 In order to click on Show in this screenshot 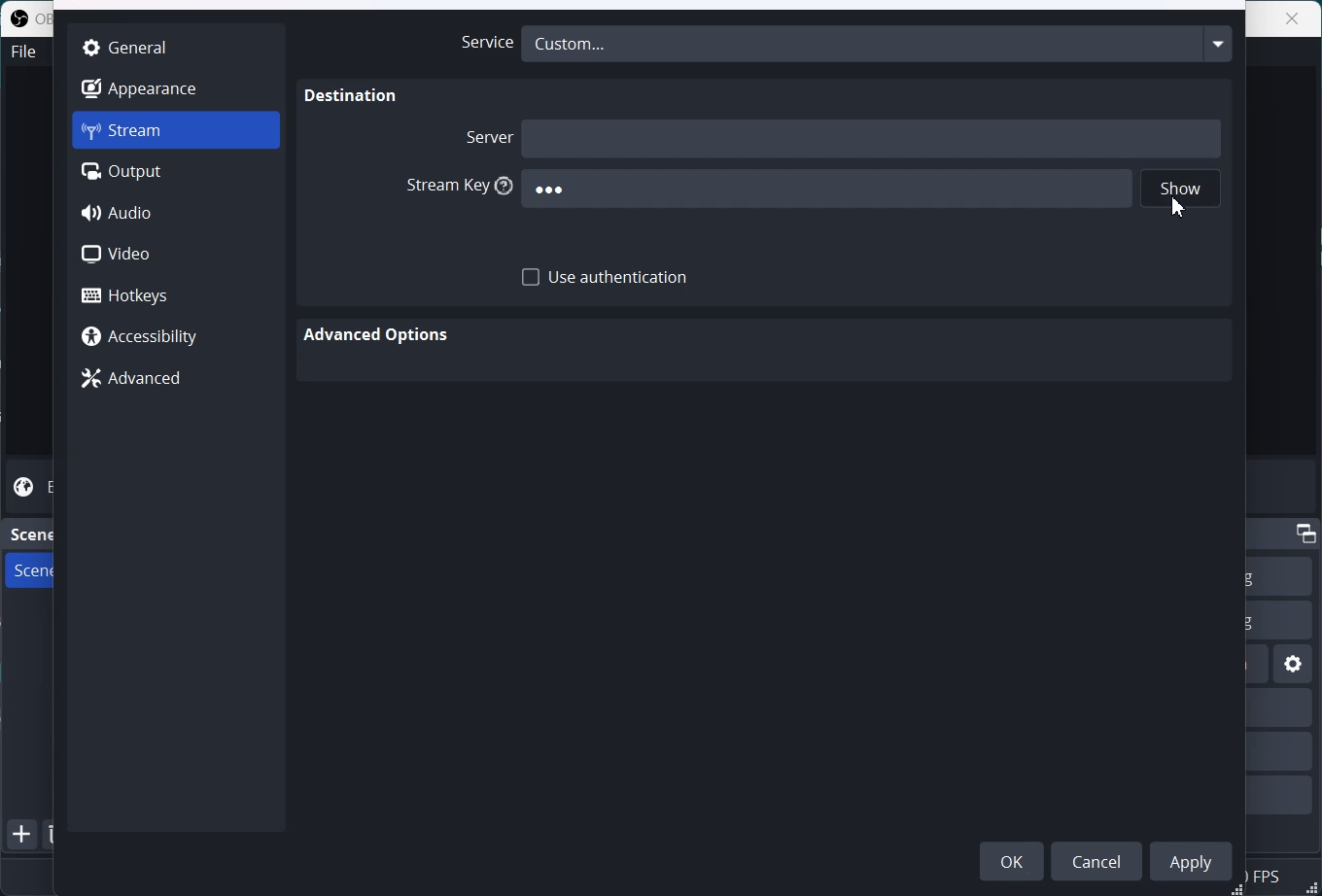, I will do `click(1181, 190)`.